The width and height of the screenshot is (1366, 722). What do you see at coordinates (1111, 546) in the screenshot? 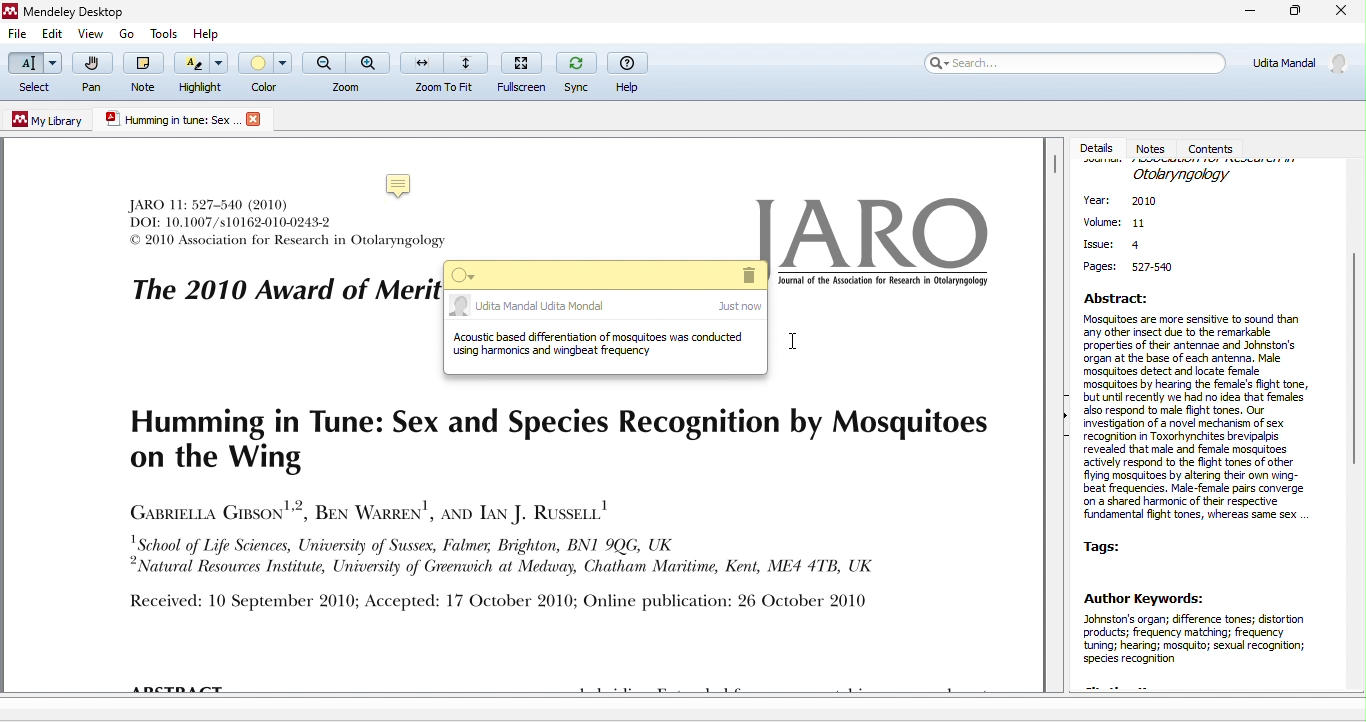
I see `tags` at bounding box center [1111, 546].